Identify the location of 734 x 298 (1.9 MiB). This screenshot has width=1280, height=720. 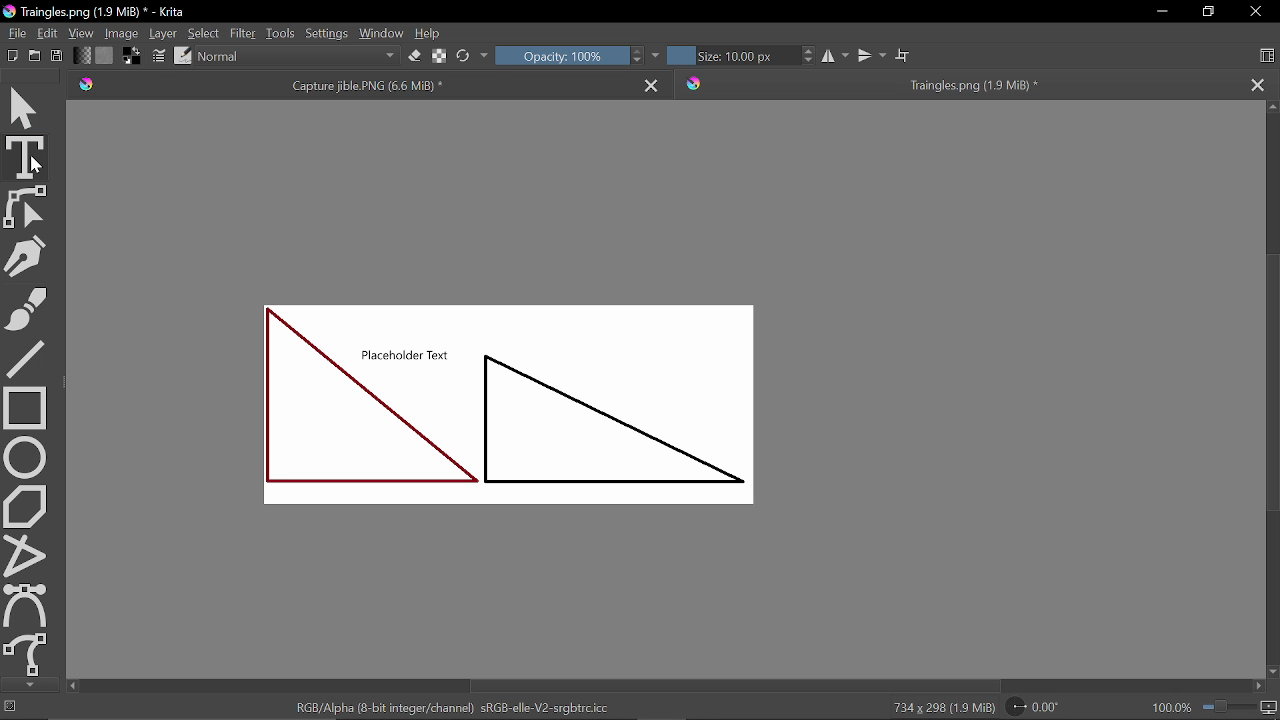
(940, 708).